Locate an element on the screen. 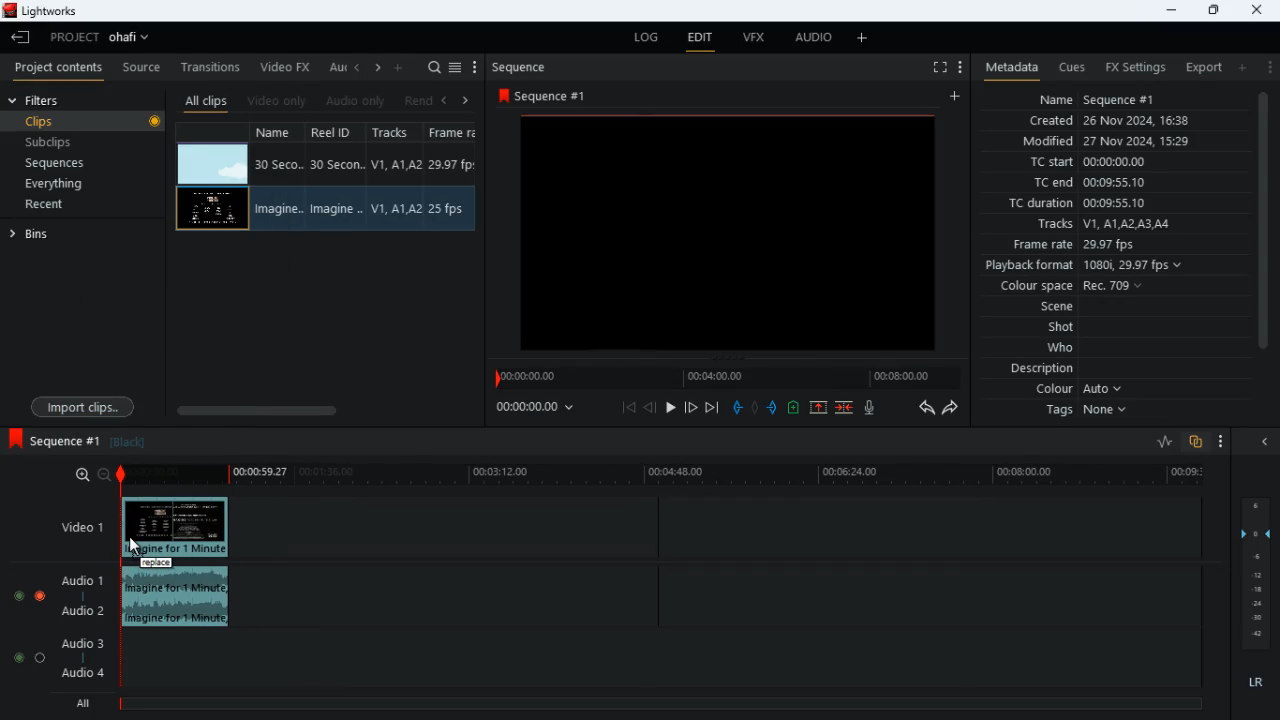  29.97 fps is located at coordinates (457, 167).